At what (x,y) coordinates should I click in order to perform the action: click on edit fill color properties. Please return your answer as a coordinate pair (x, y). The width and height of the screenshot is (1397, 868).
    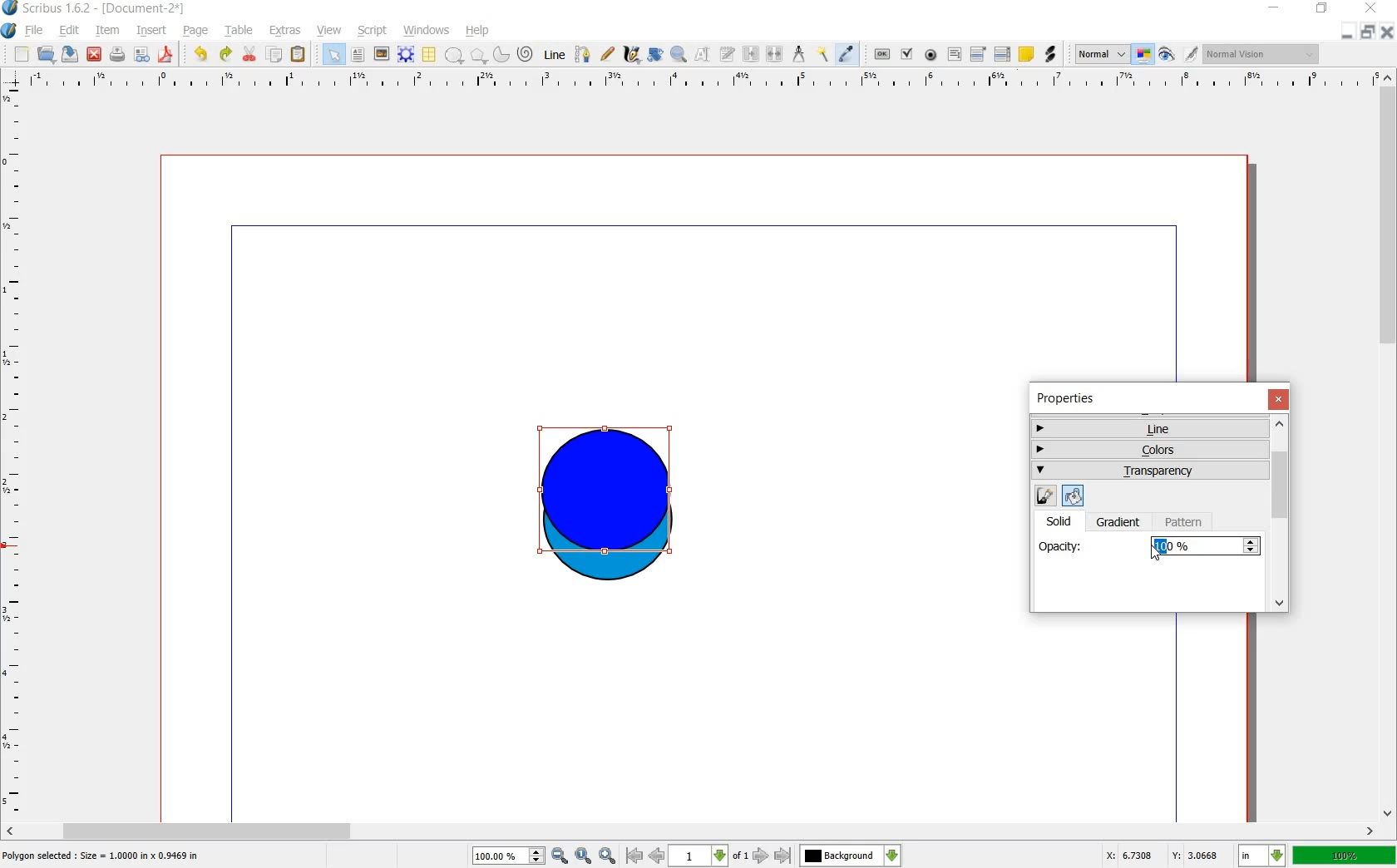
    Looking at the image, I should click on (1071, 495).